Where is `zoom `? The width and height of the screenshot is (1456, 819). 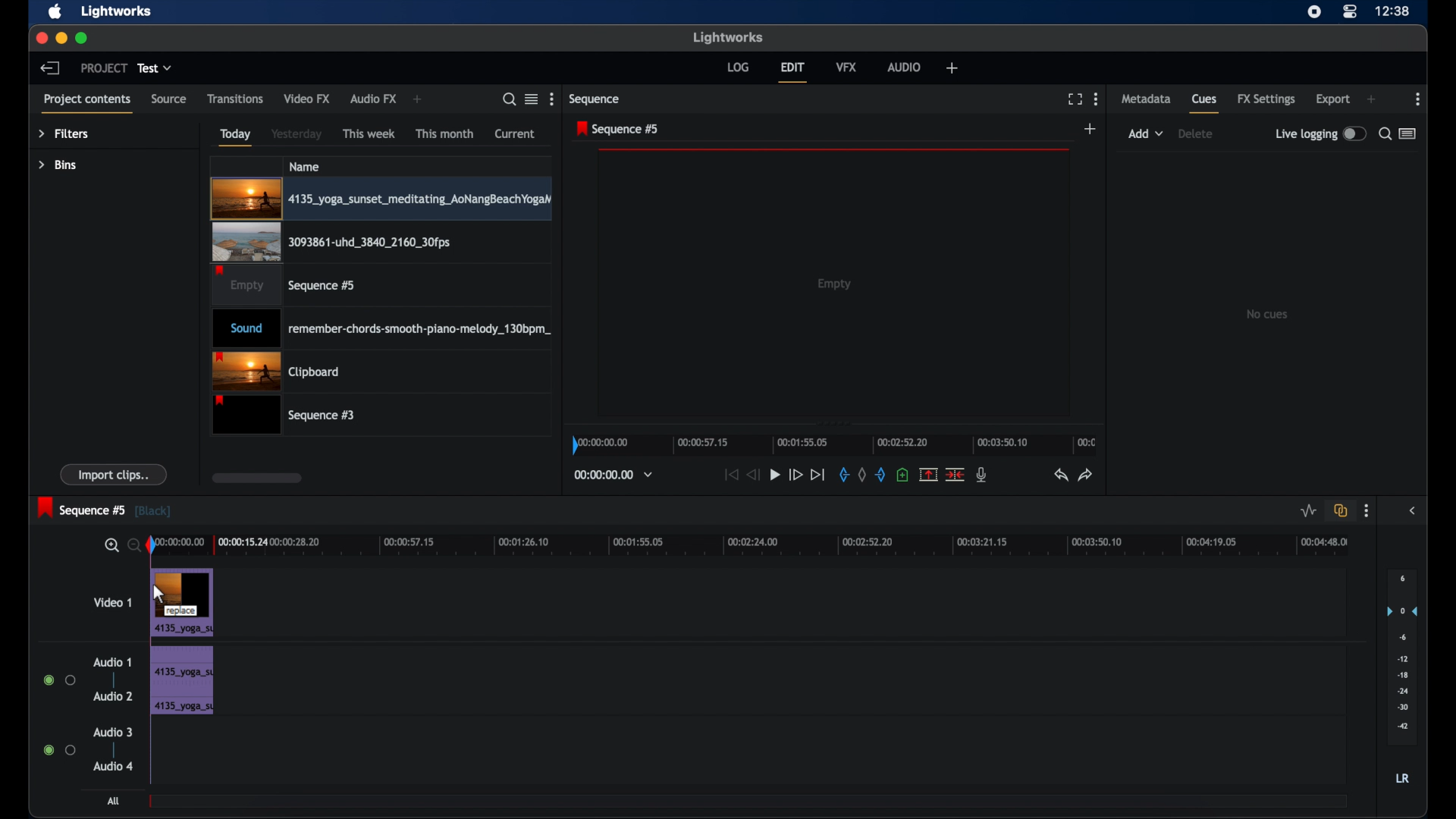 zoom  is located at coordinates (118, 544).